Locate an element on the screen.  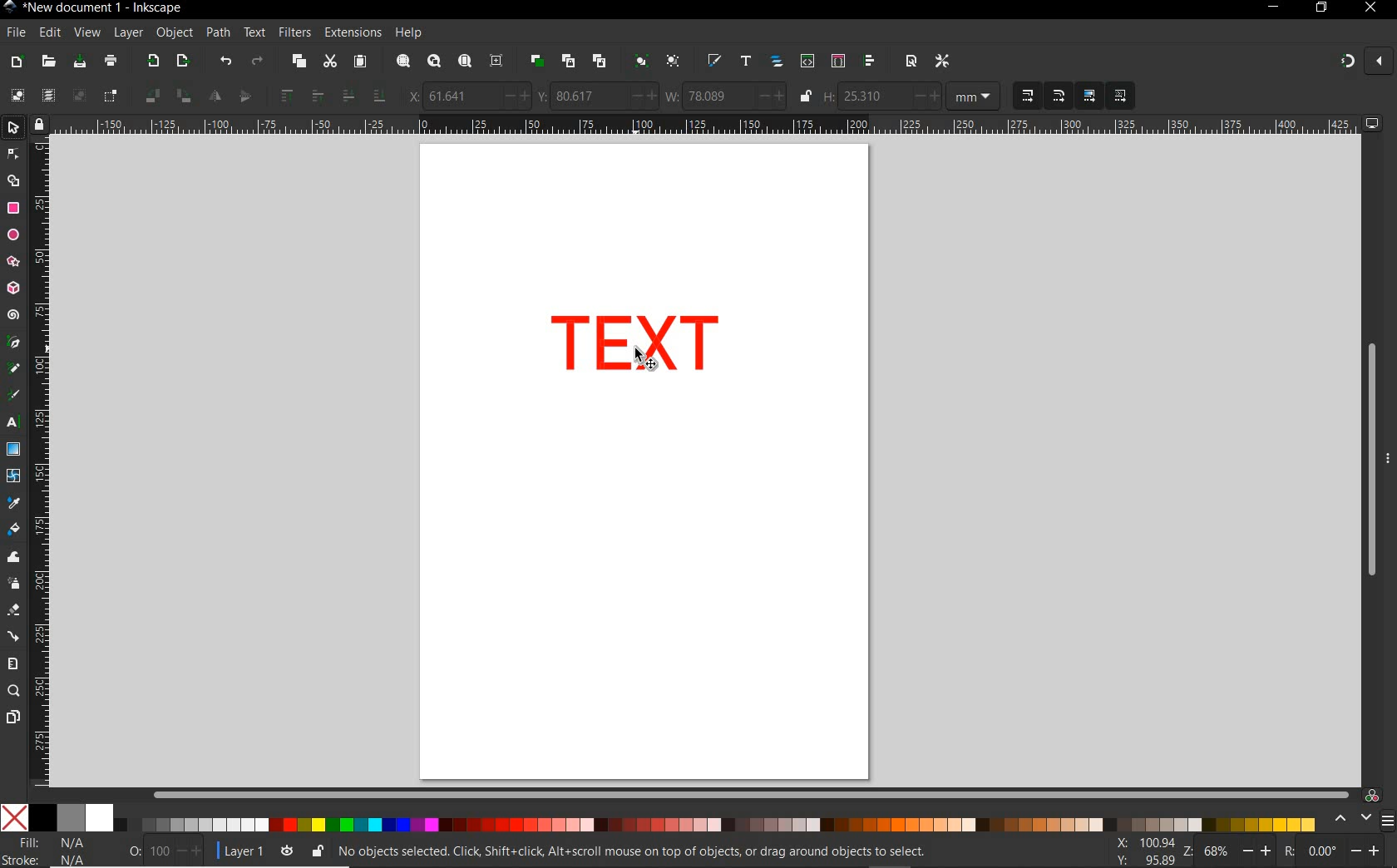
layer is located at coordinates (129, 33).